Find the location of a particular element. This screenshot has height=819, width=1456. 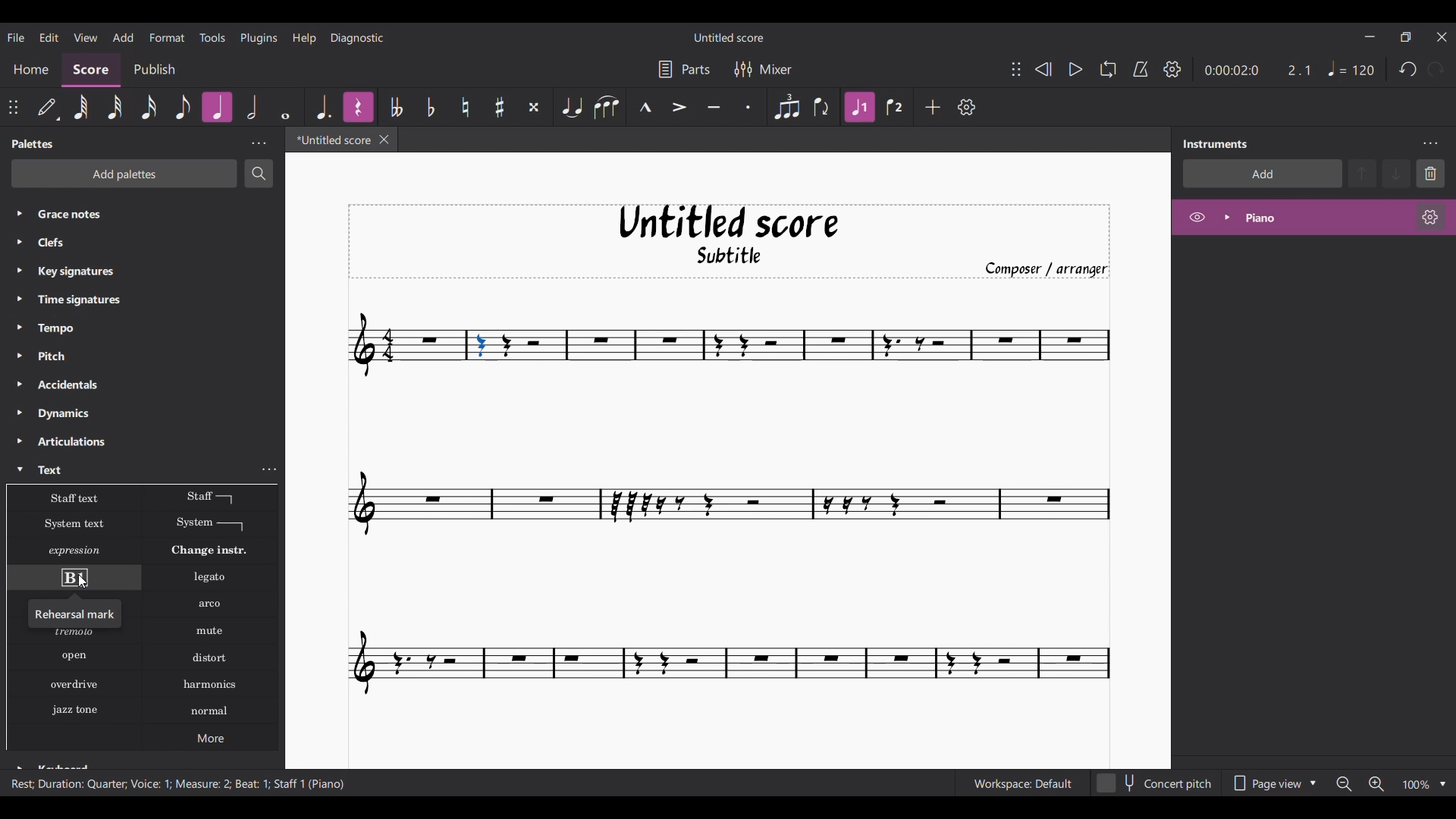

Add instrument is located at coordinates (1263, 174).